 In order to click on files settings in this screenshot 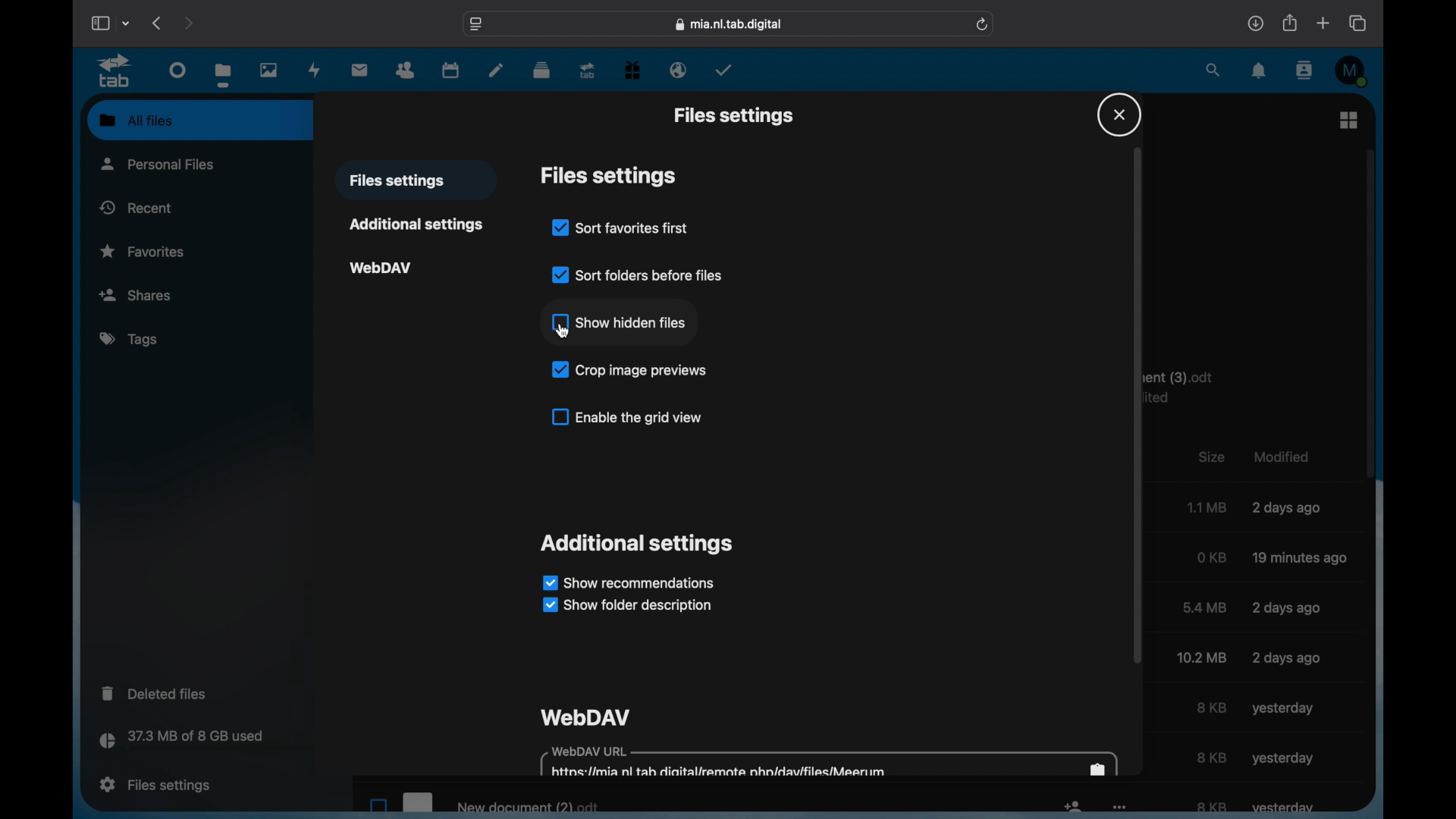, I will do `click(733, 117)`.